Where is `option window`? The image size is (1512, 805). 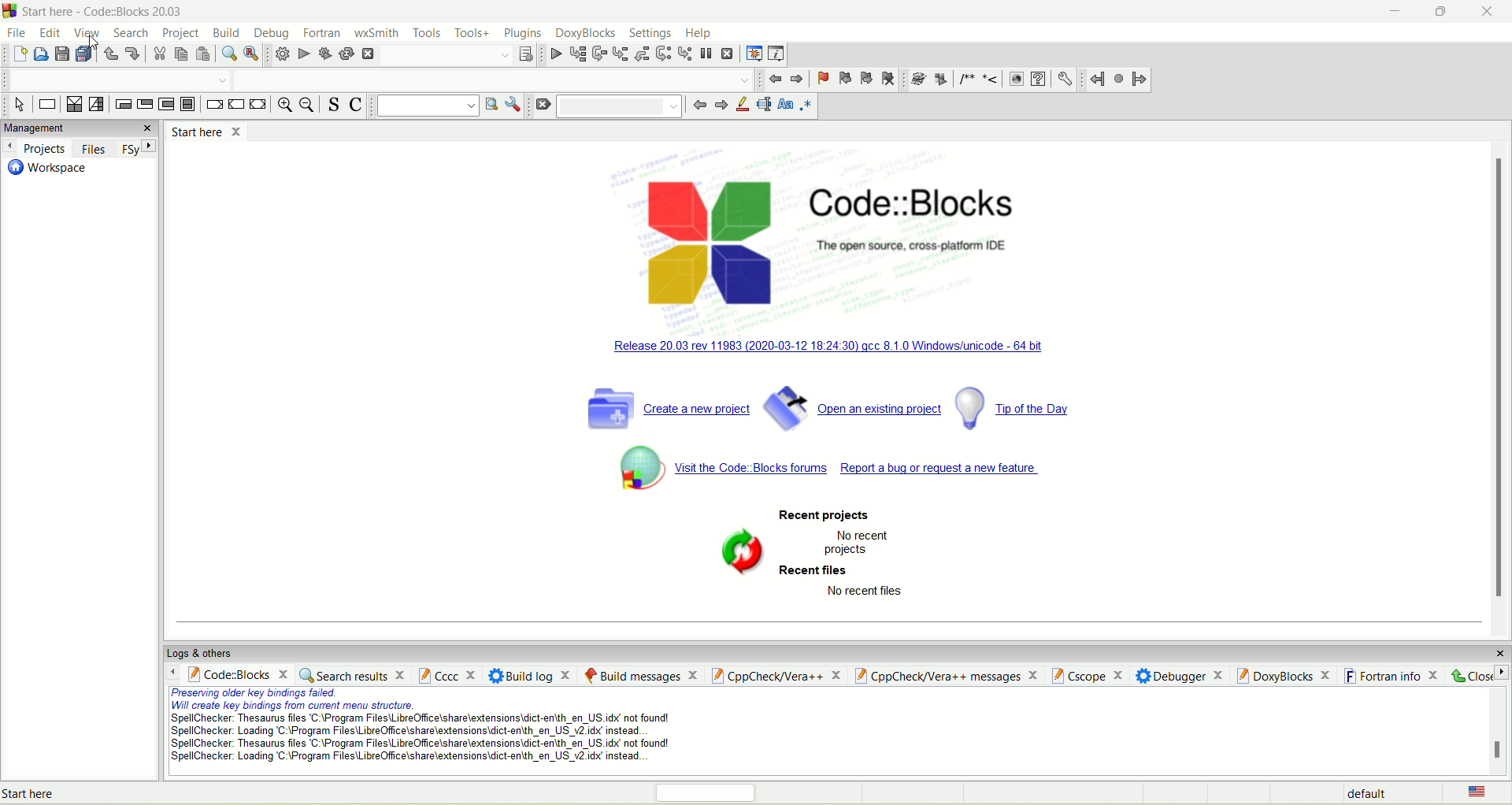
option window is located at coordinates (517, 107).